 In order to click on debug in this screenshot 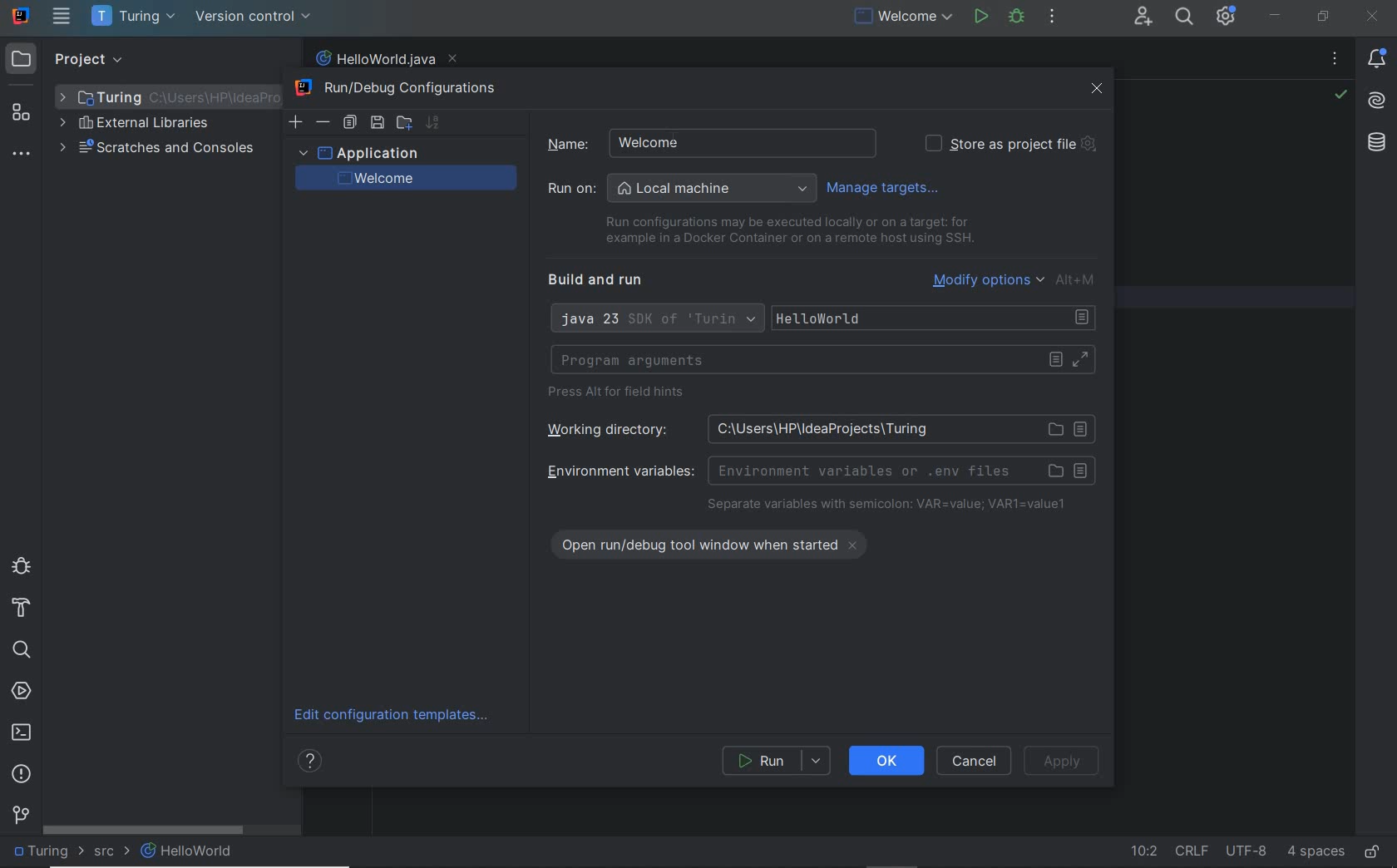, I will do `click(21, 565)`.